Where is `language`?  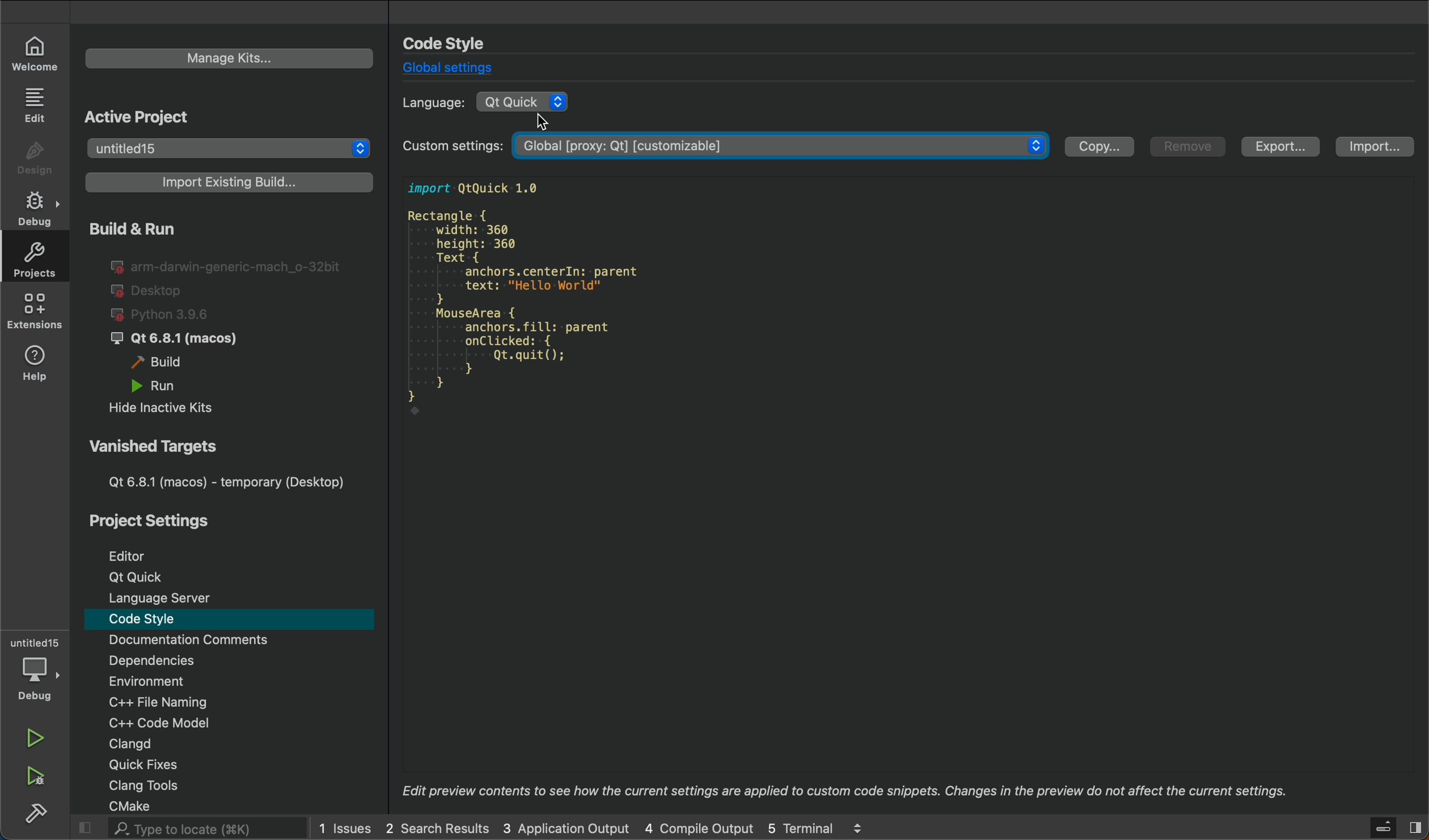
language is located at coordinates (425, 104).